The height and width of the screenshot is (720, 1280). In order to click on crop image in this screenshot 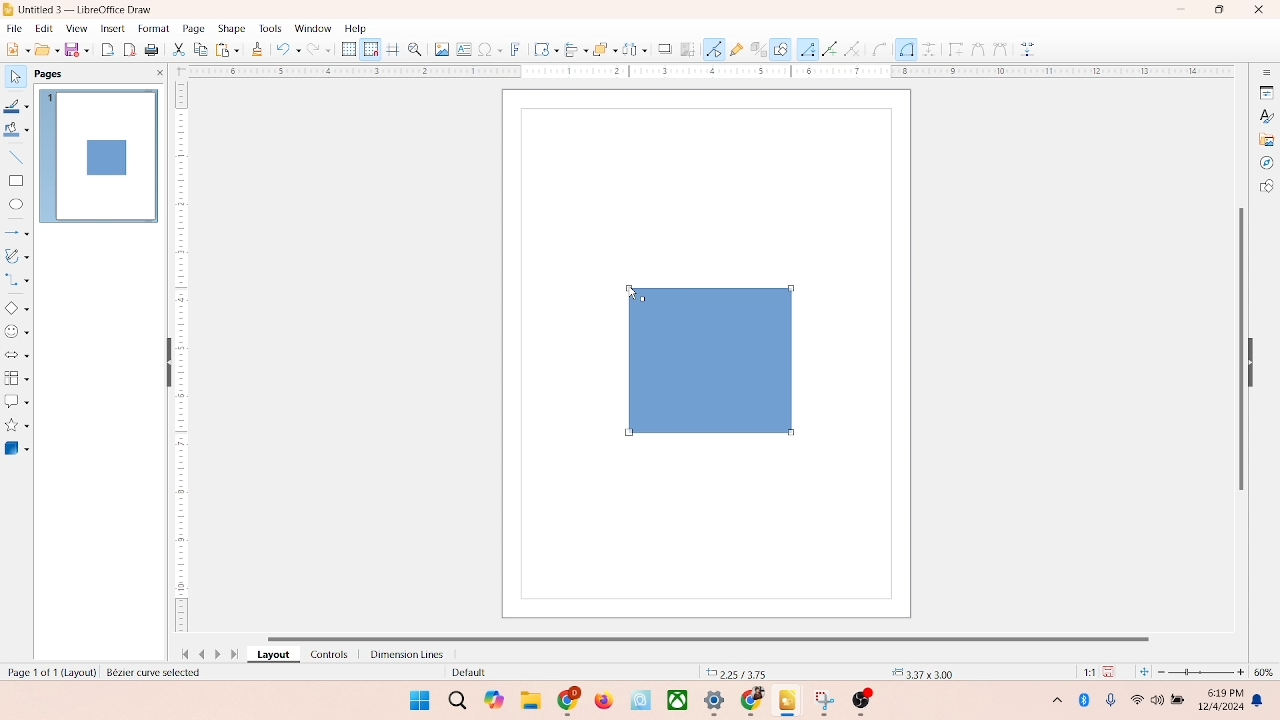, I will do `click(688, 49)`.